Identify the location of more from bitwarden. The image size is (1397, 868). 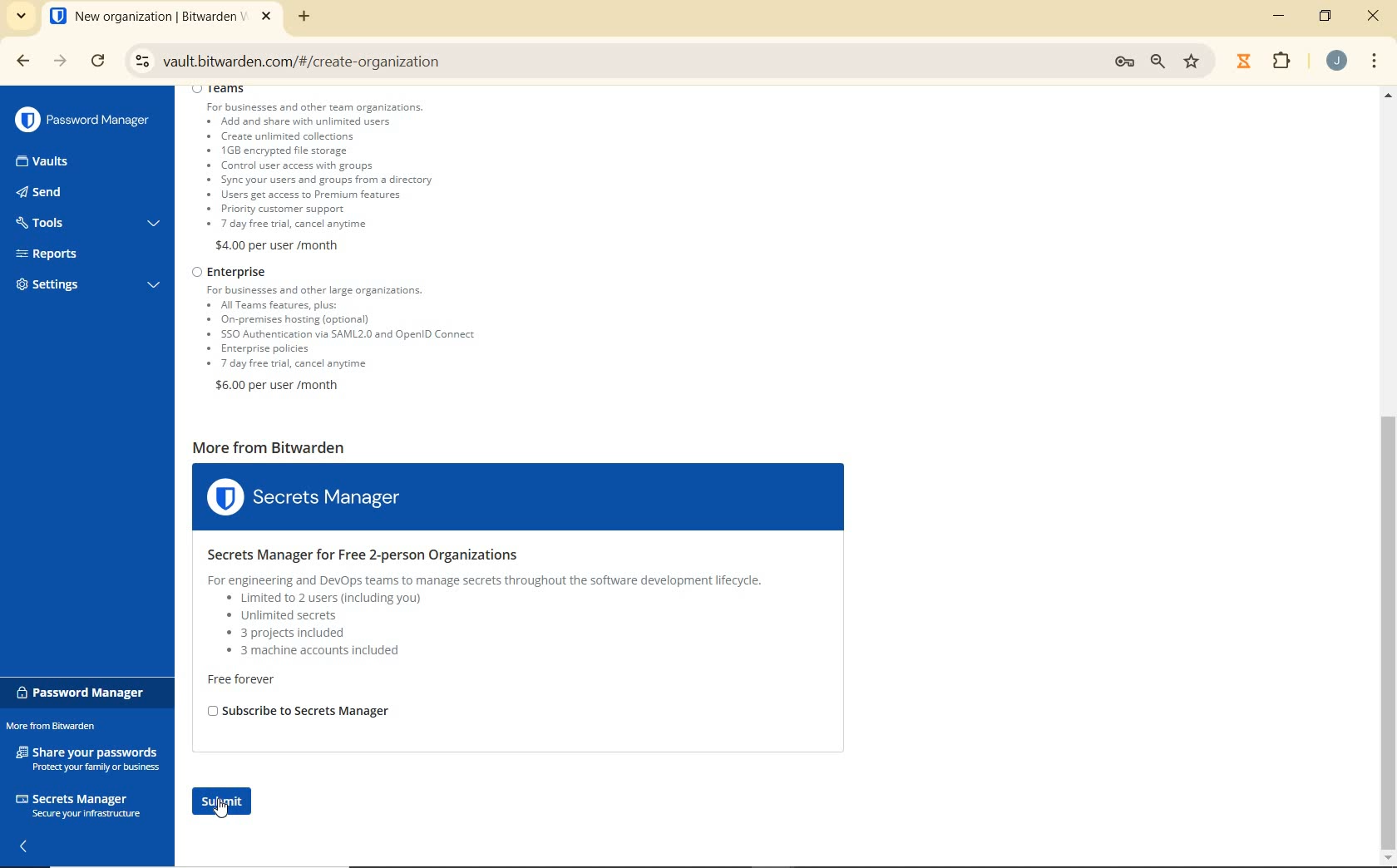
(61, 727).